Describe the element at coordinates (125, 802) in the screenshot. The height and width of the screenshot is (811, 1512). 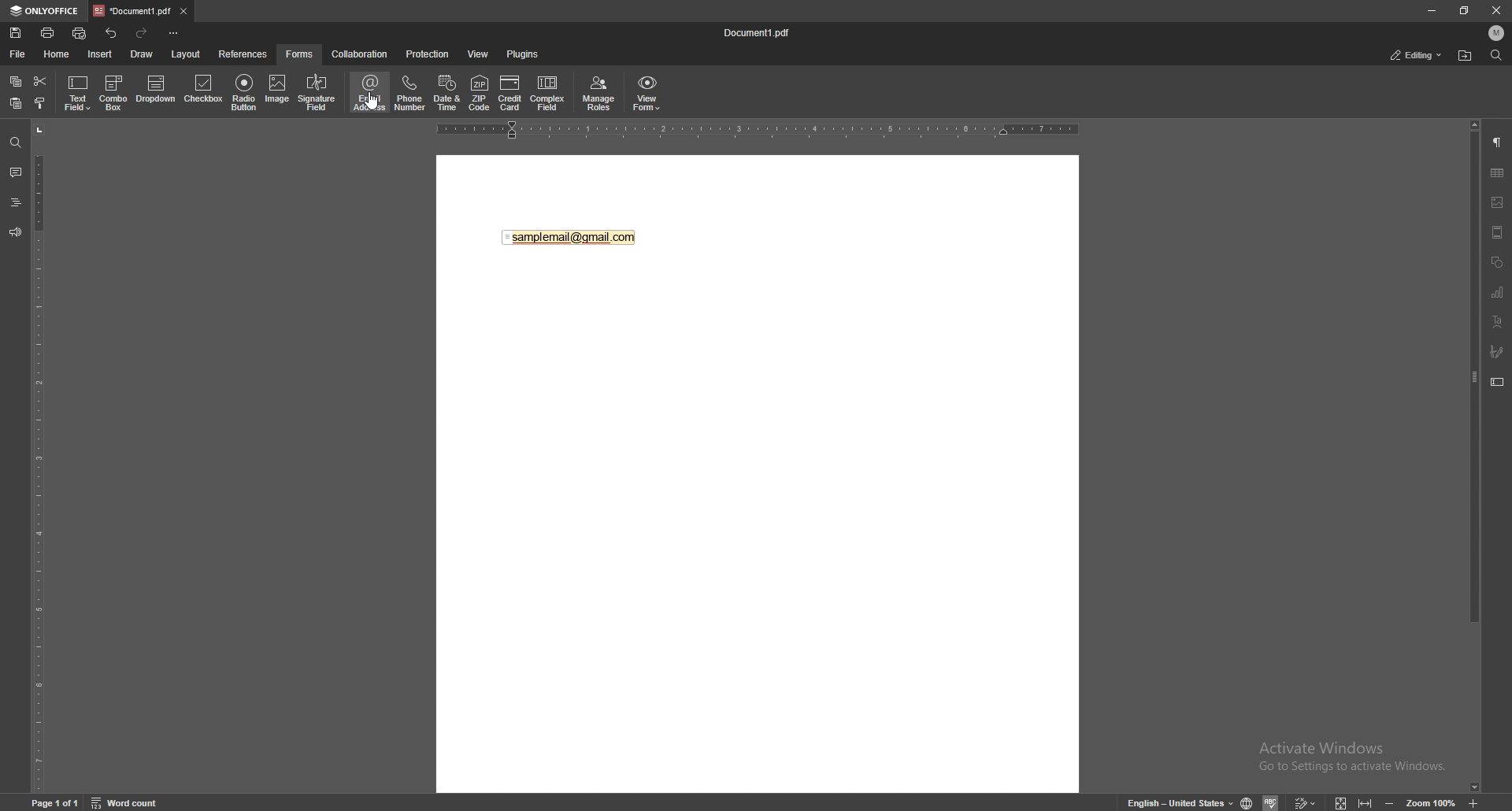
I see `word count` at that location.